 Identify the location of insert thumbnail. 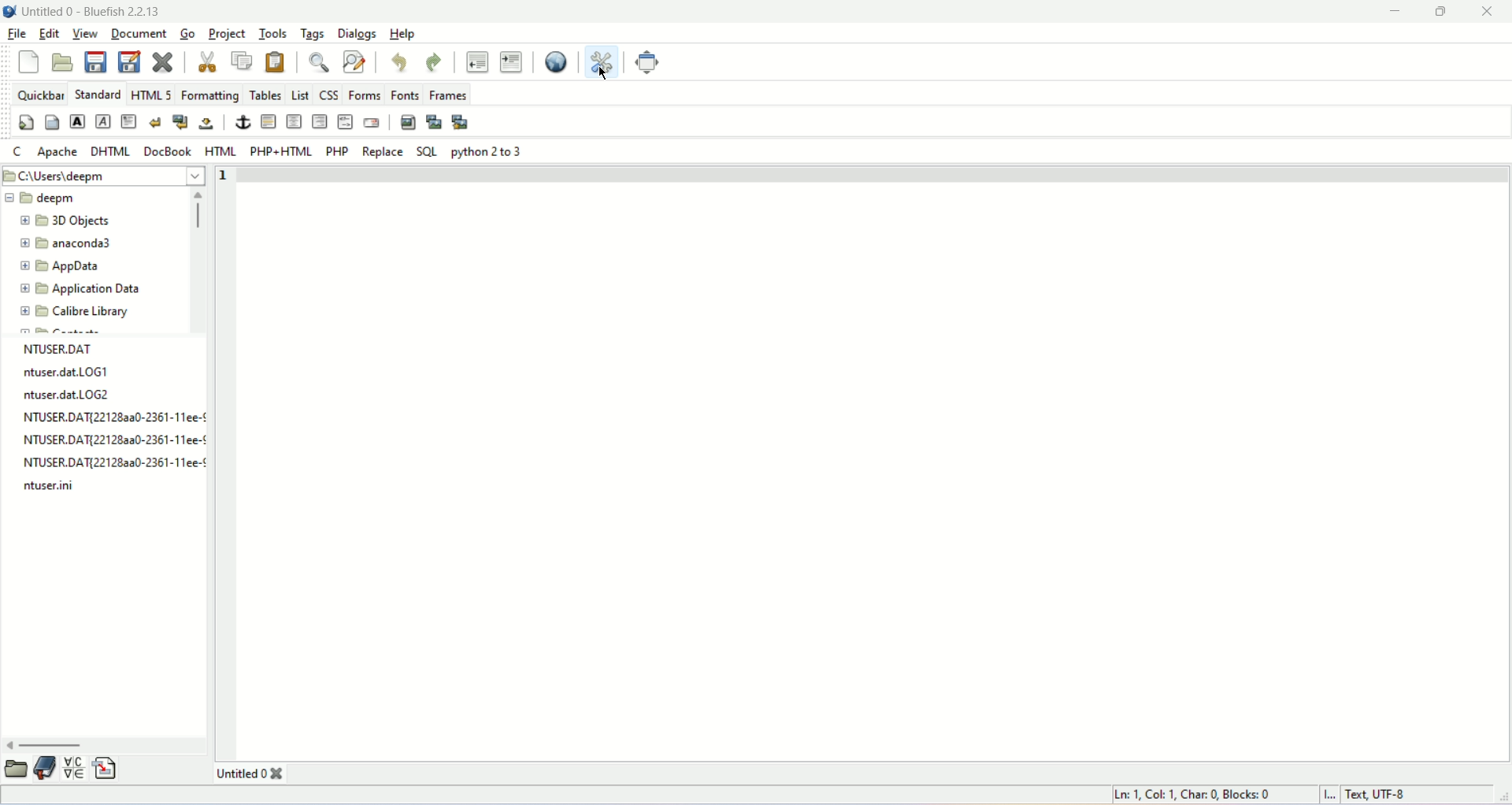
(432, 121).